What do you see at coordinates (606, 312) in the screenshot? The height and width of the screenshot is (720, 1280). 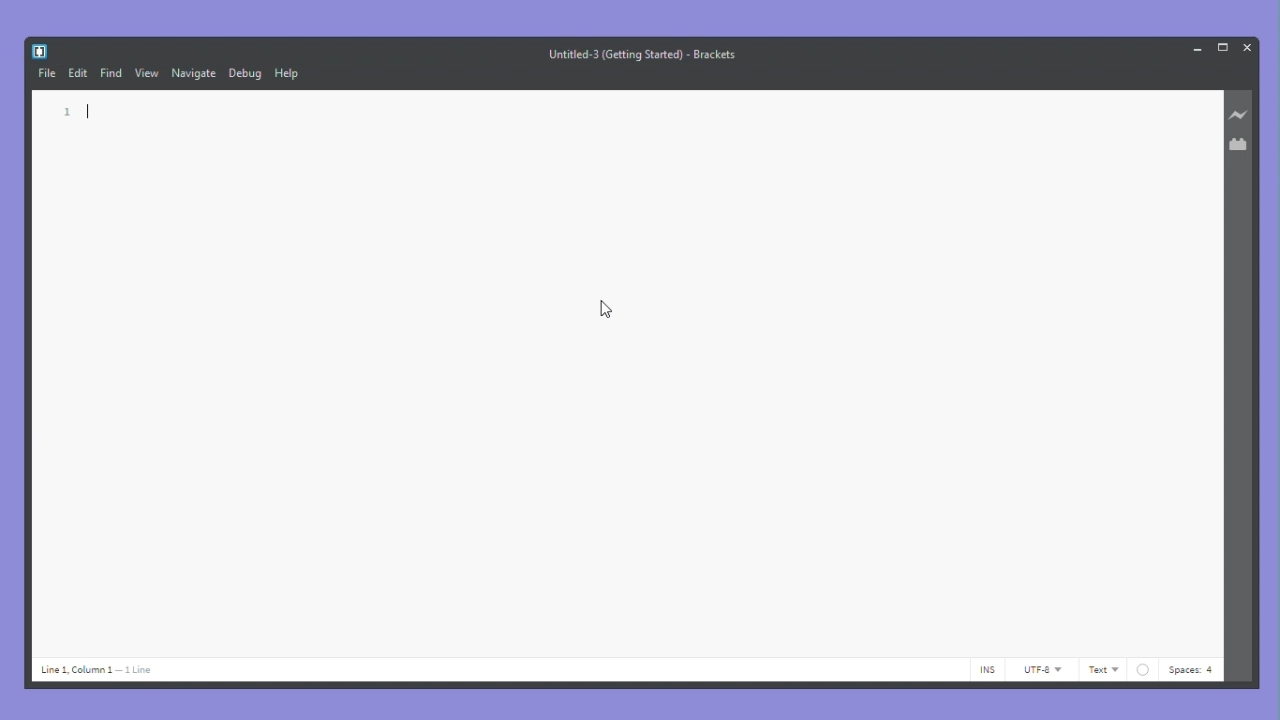 I see `cursor` at bounding box center [606, 312].